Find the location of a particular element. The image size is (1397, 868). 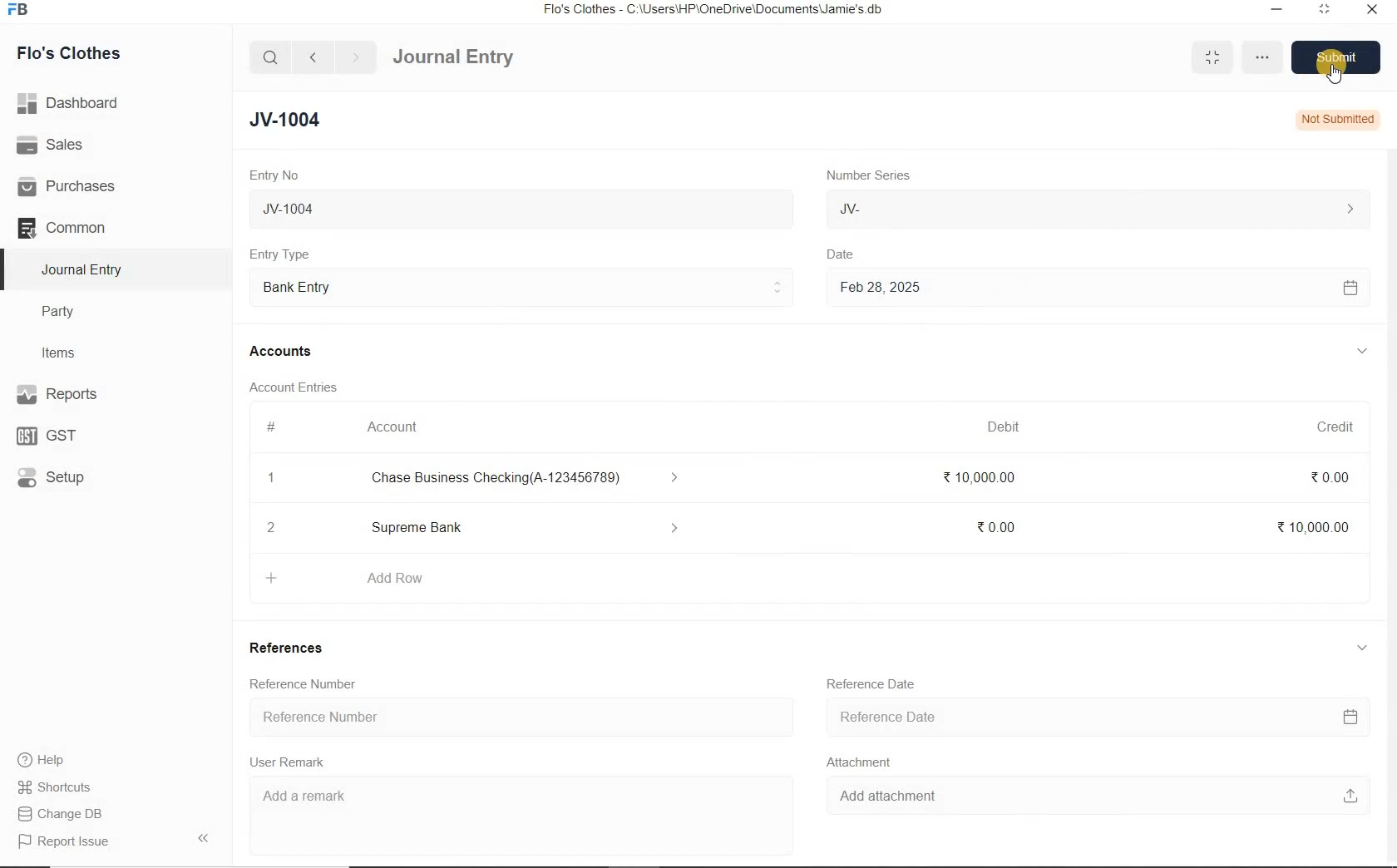

Not Submitted is located at coordinates (1337, 118).